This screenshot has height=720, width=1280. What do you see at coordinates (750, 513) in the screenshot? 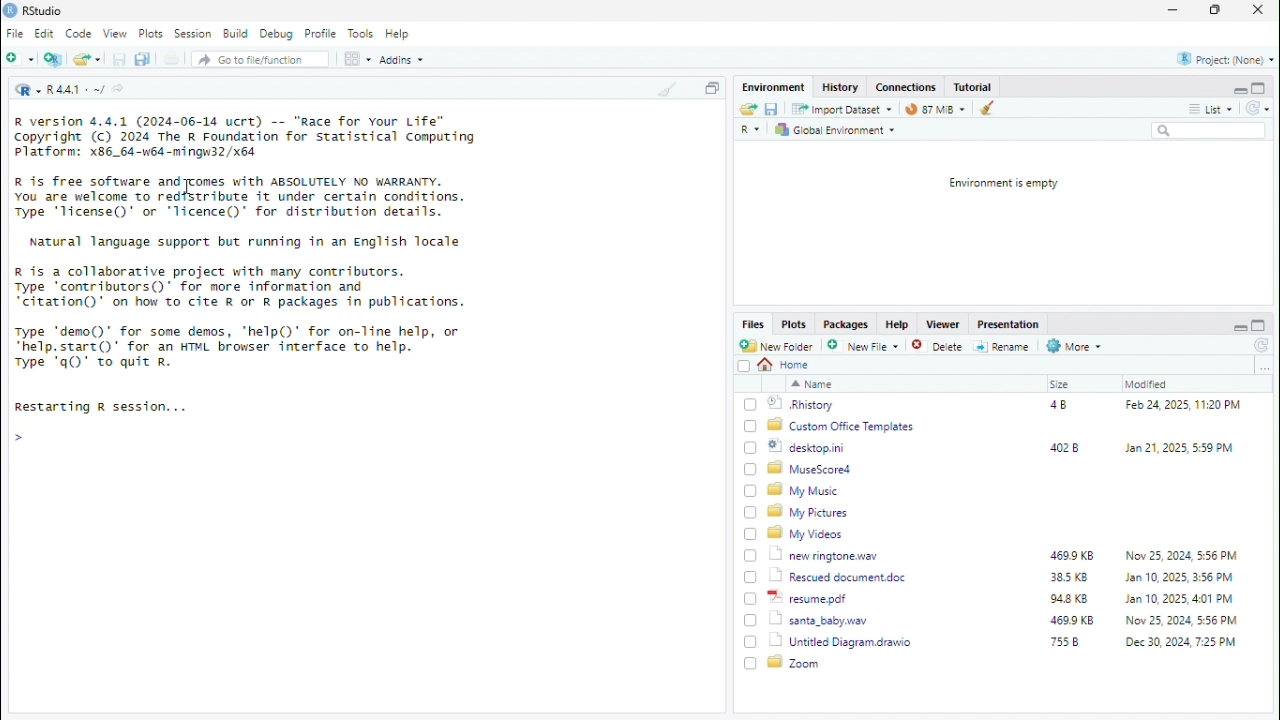
I see `Checkbox` at bounding box center [750, 513].